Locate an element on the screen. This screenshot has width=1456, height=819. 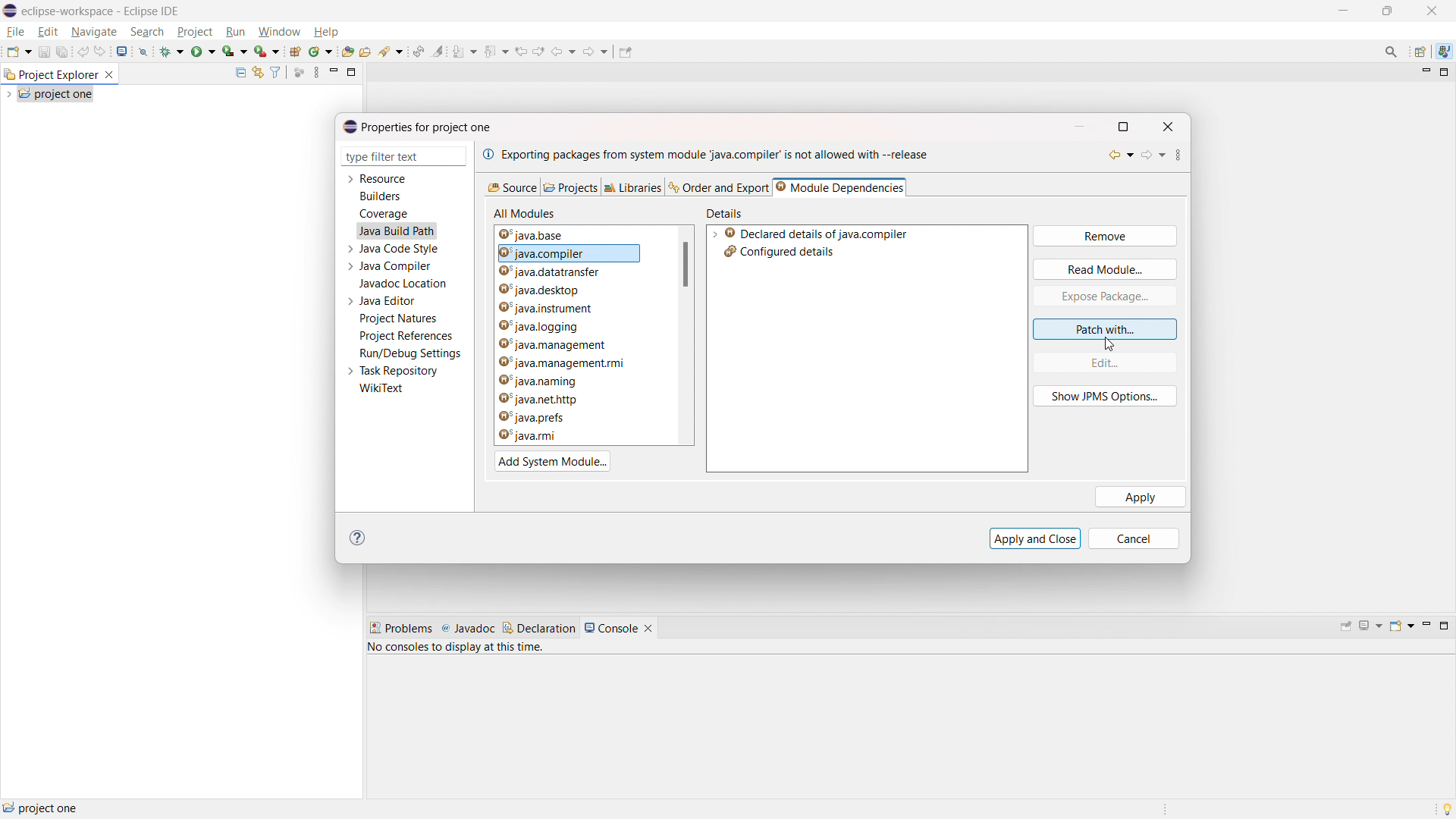
minimize is located at coordinates (1081, 125).